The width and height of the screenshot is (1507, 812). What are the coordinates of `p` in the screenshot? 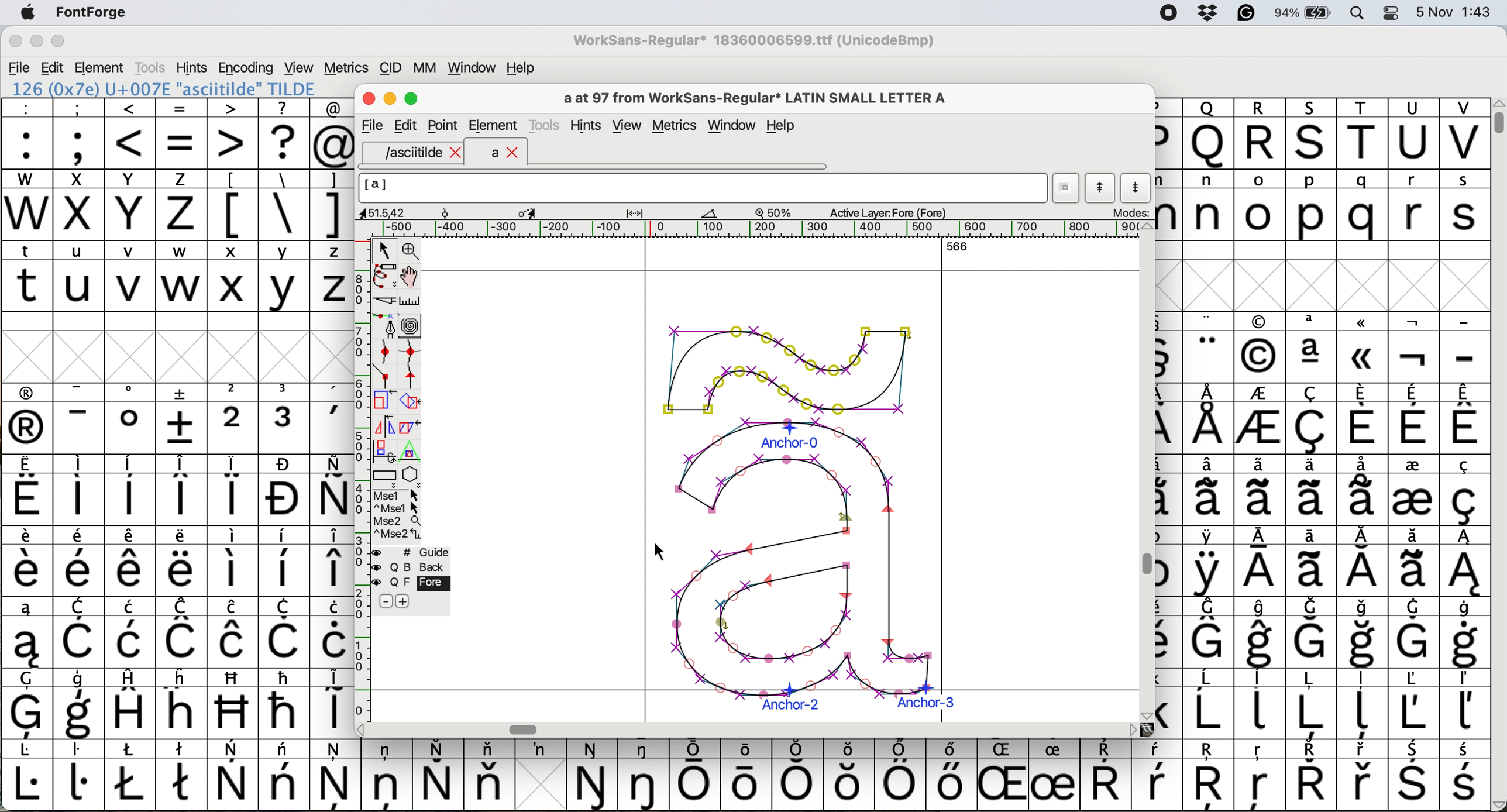 It's located at (1312, 207).